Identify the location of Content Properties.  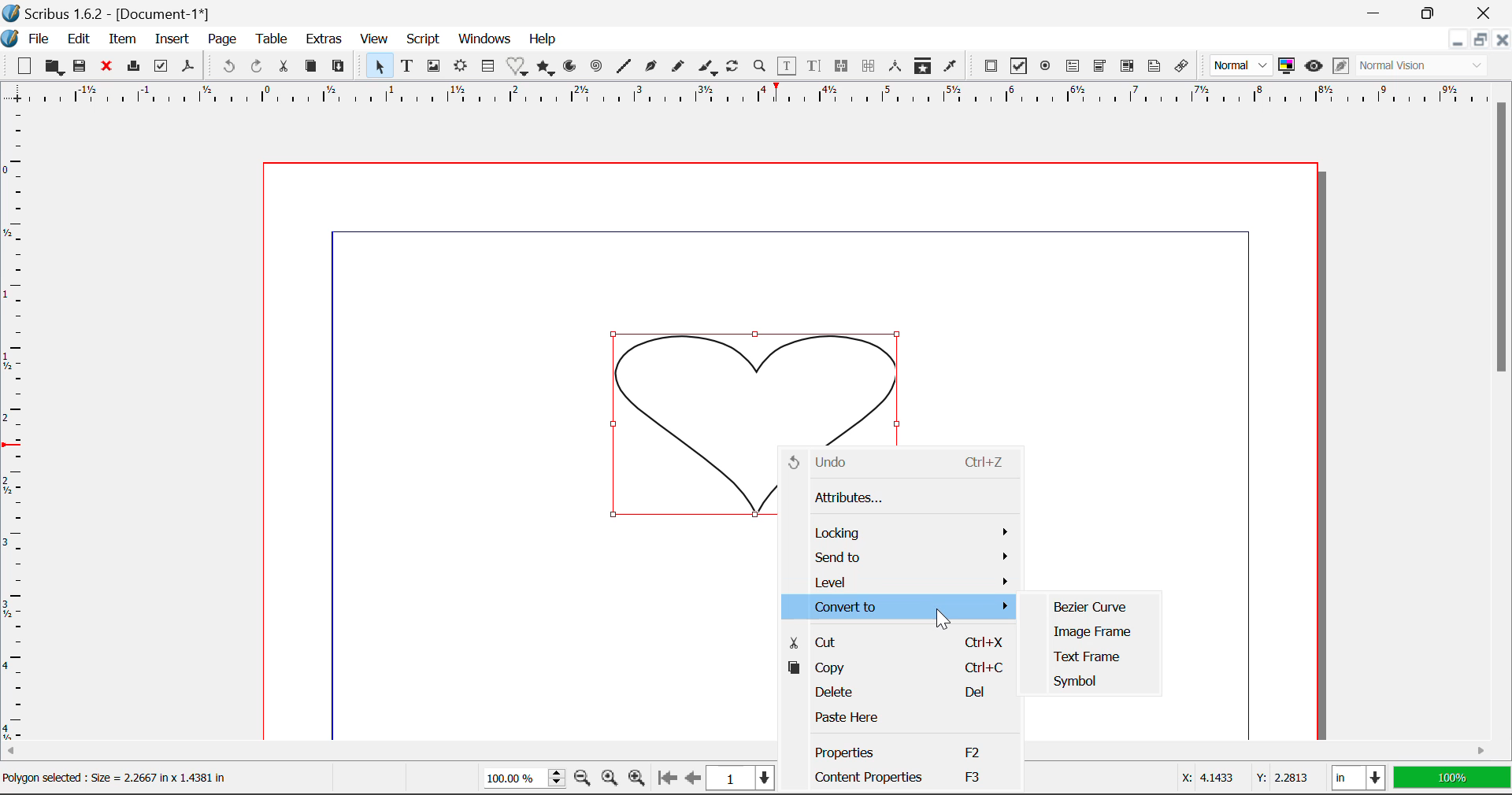
(899, 778).